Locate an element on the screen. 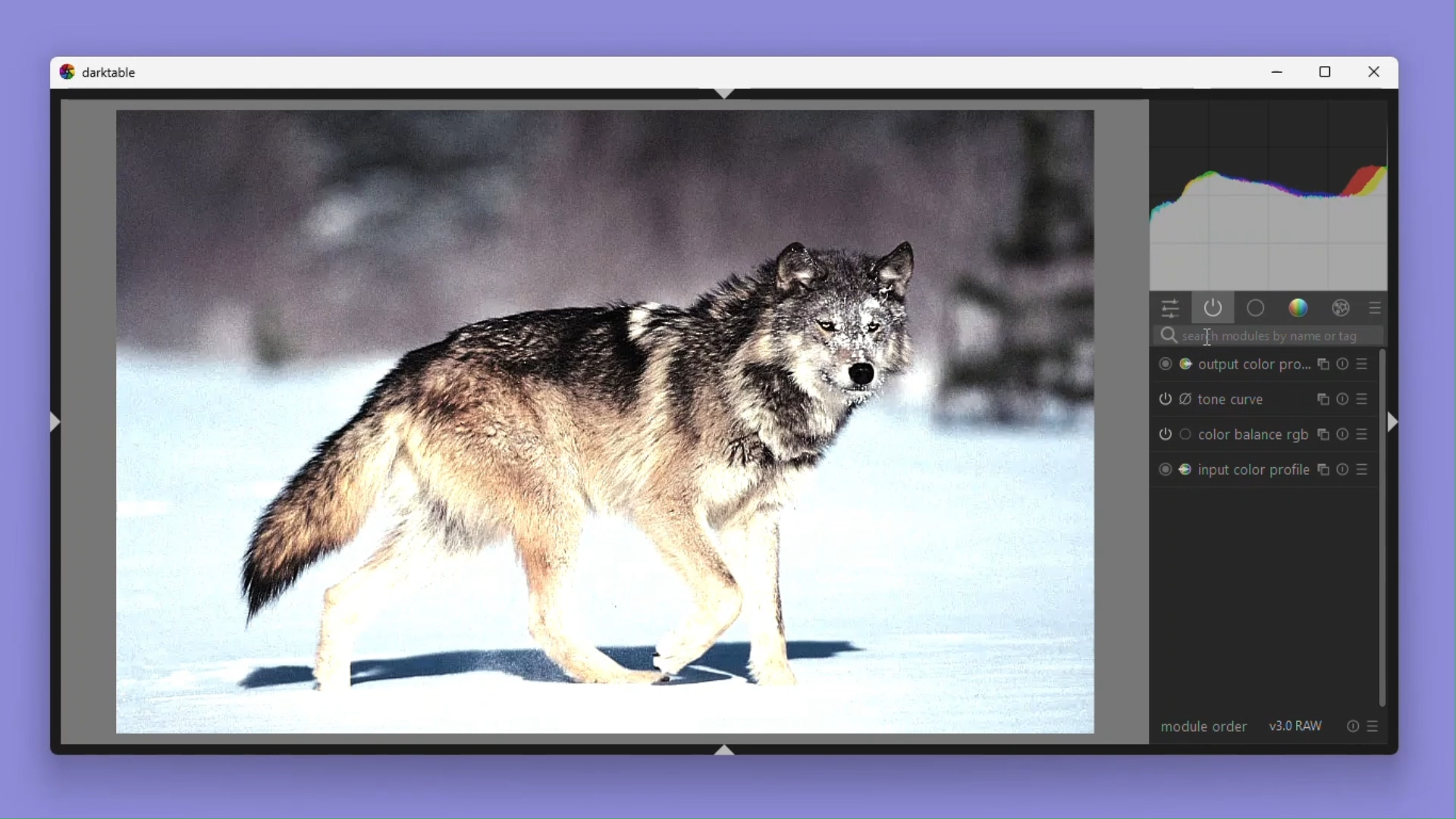  shift+ctrl+t is located at coordinates (734, 94).